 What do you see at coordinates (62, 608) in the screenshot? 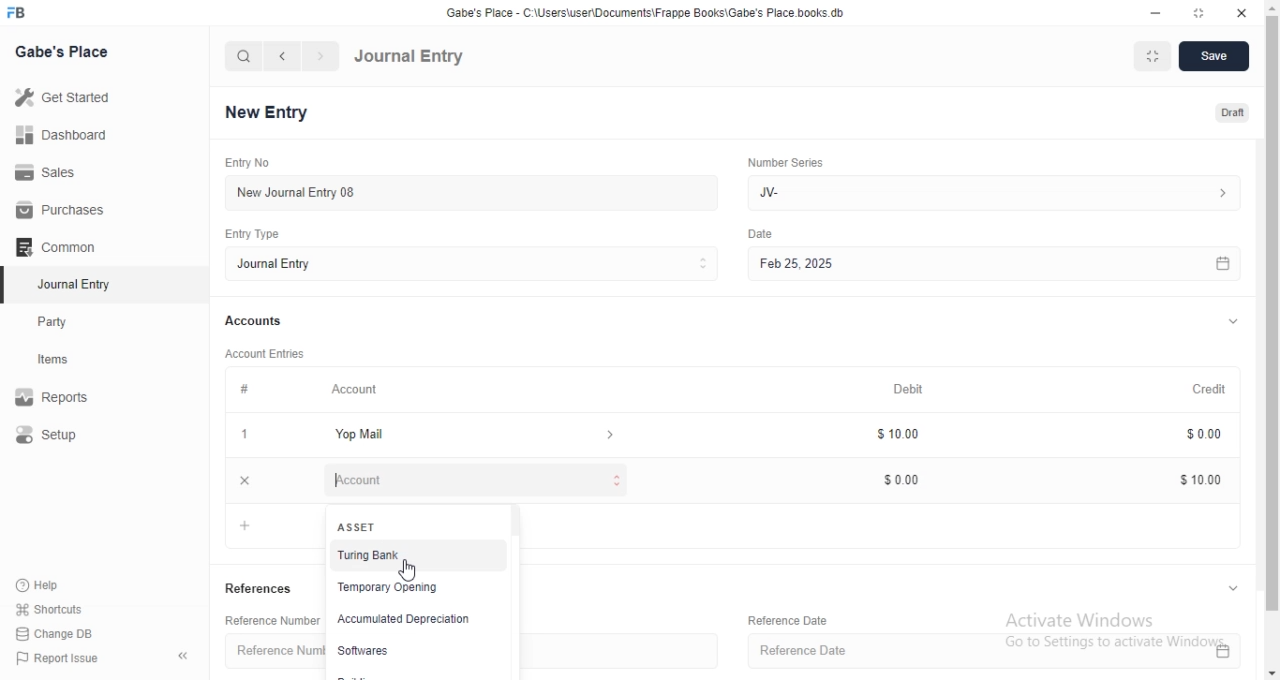
I see `shortcuts` at bounding box center [62, 608].